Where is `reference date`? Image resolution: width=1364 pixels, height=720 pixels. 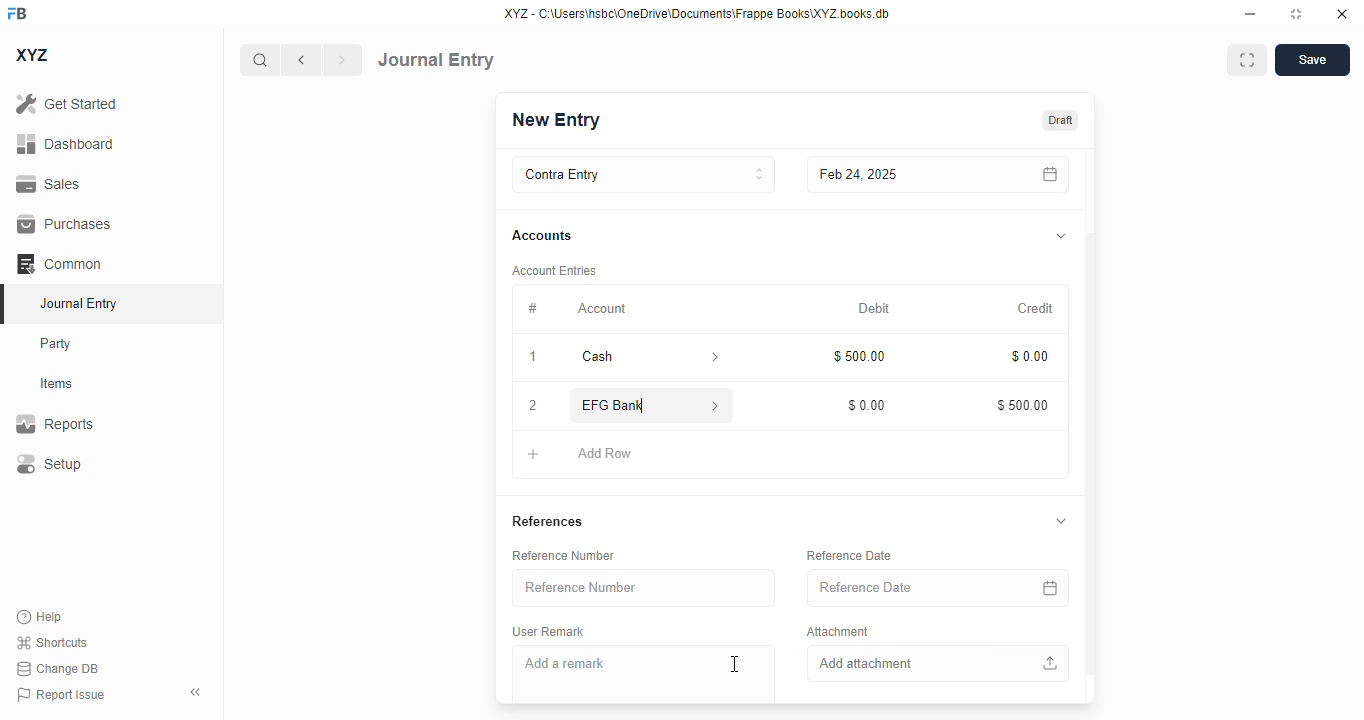 reference date is located at coordinates (897, 586).